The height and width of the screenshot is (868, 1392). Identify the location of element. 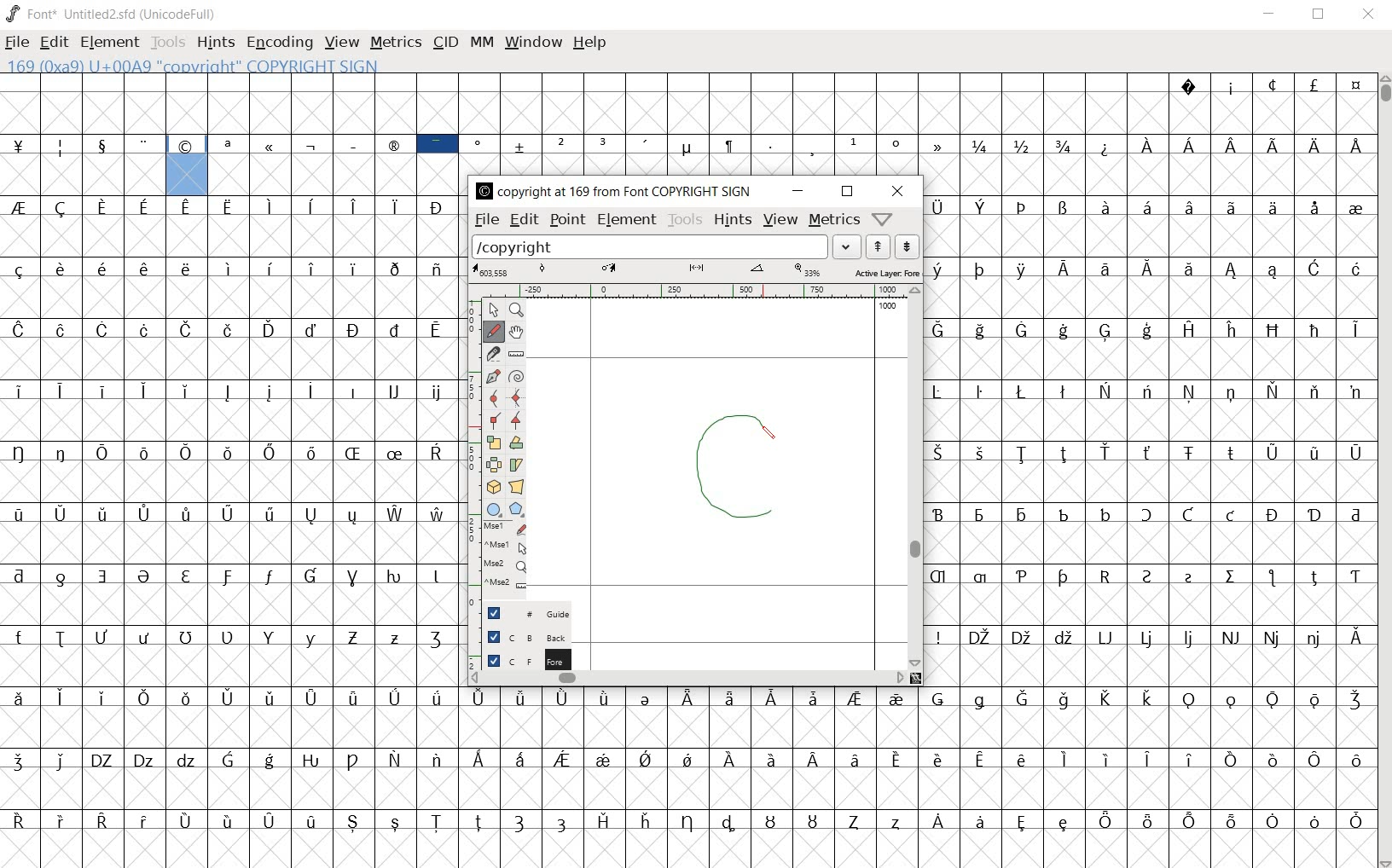
(109, 42).